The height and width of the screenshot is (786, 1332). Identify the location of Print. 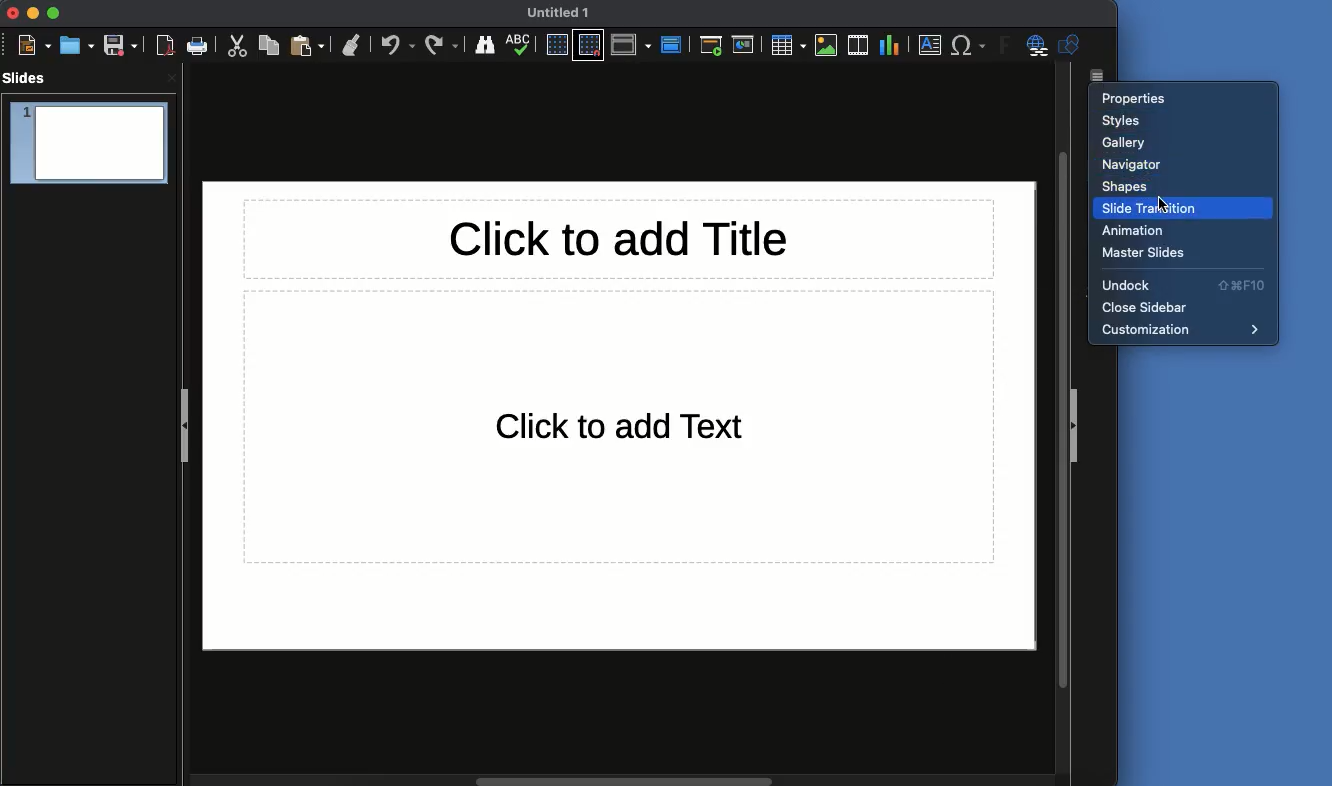
(197, 46).